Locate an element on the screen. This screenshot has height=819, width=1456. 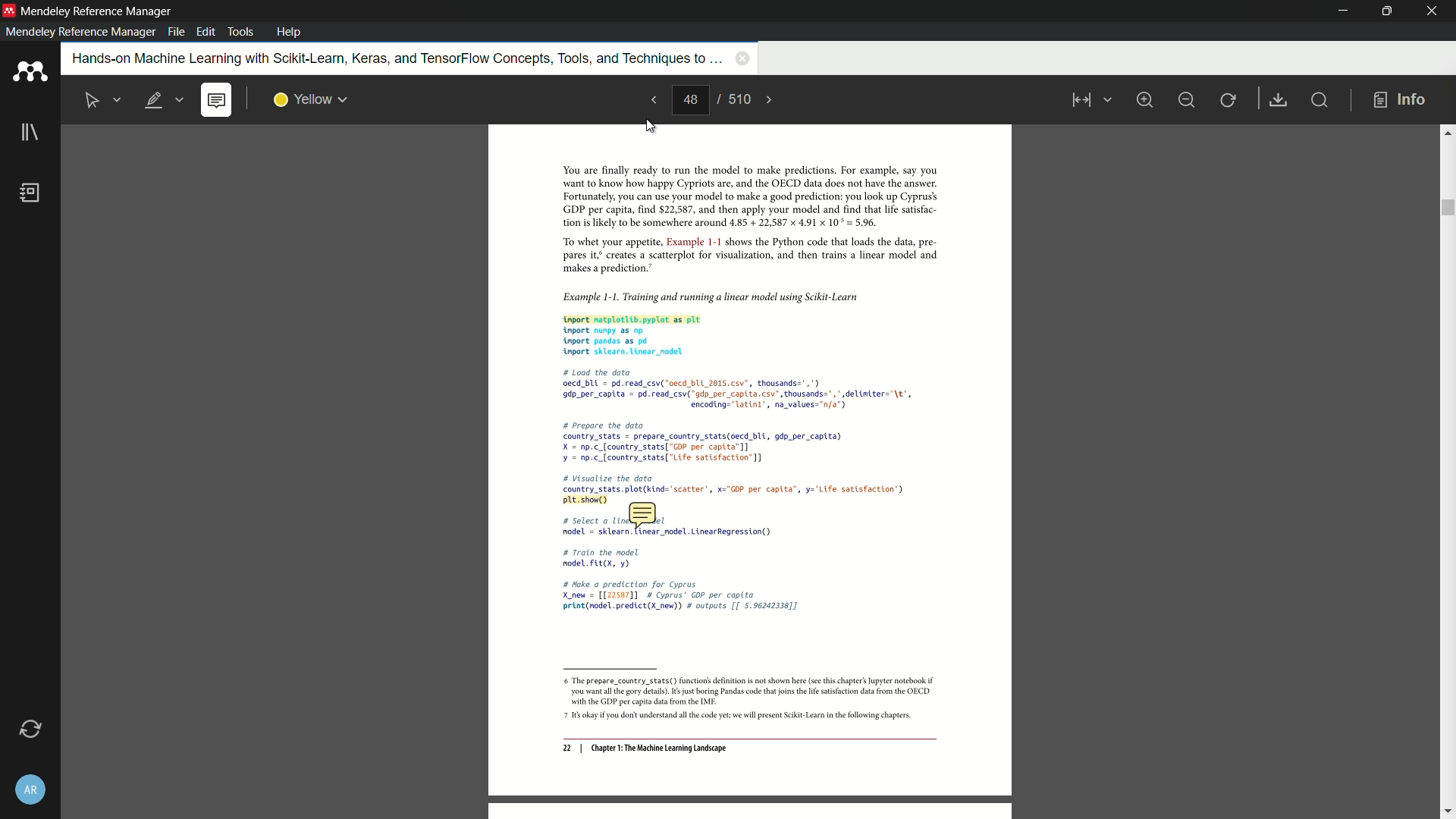
book is located at coordinates (31, 193).